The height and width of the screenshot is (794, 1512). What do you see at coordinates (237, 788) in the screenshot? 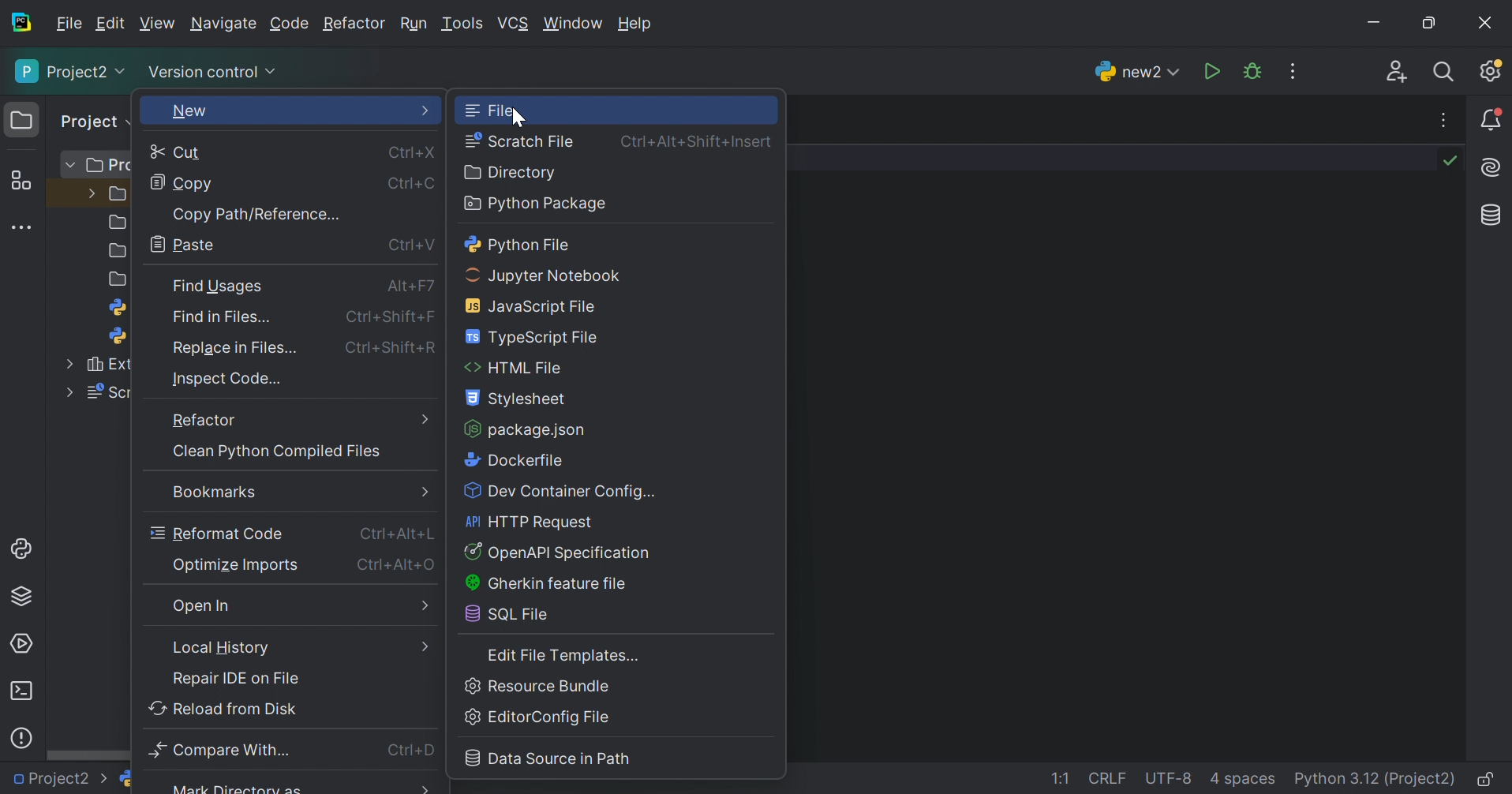
I see `Mark directory as` at bounding box center [237, 788].